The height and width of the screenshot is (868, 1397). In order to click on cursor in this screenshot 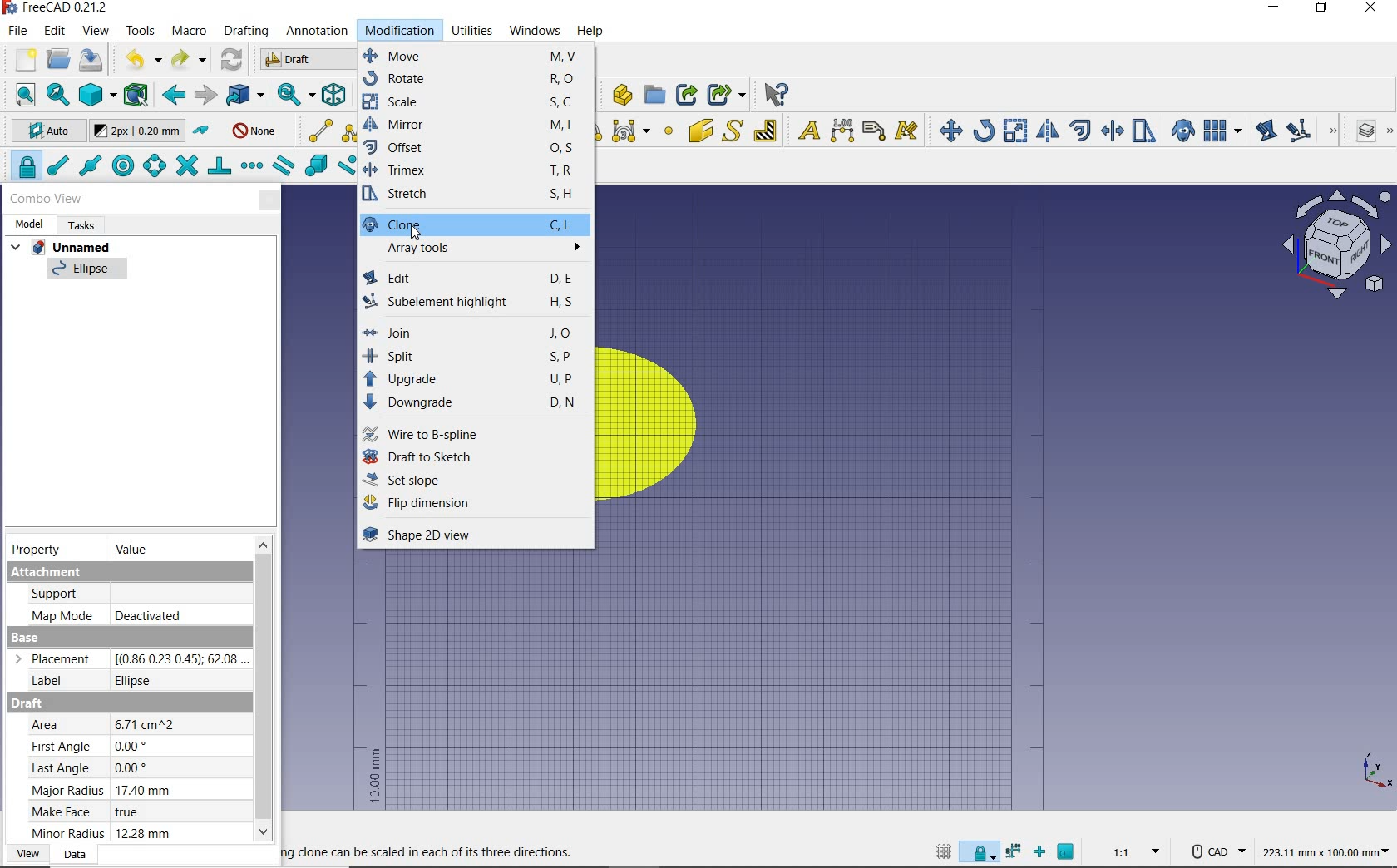, I will do `click(414, 234)`.